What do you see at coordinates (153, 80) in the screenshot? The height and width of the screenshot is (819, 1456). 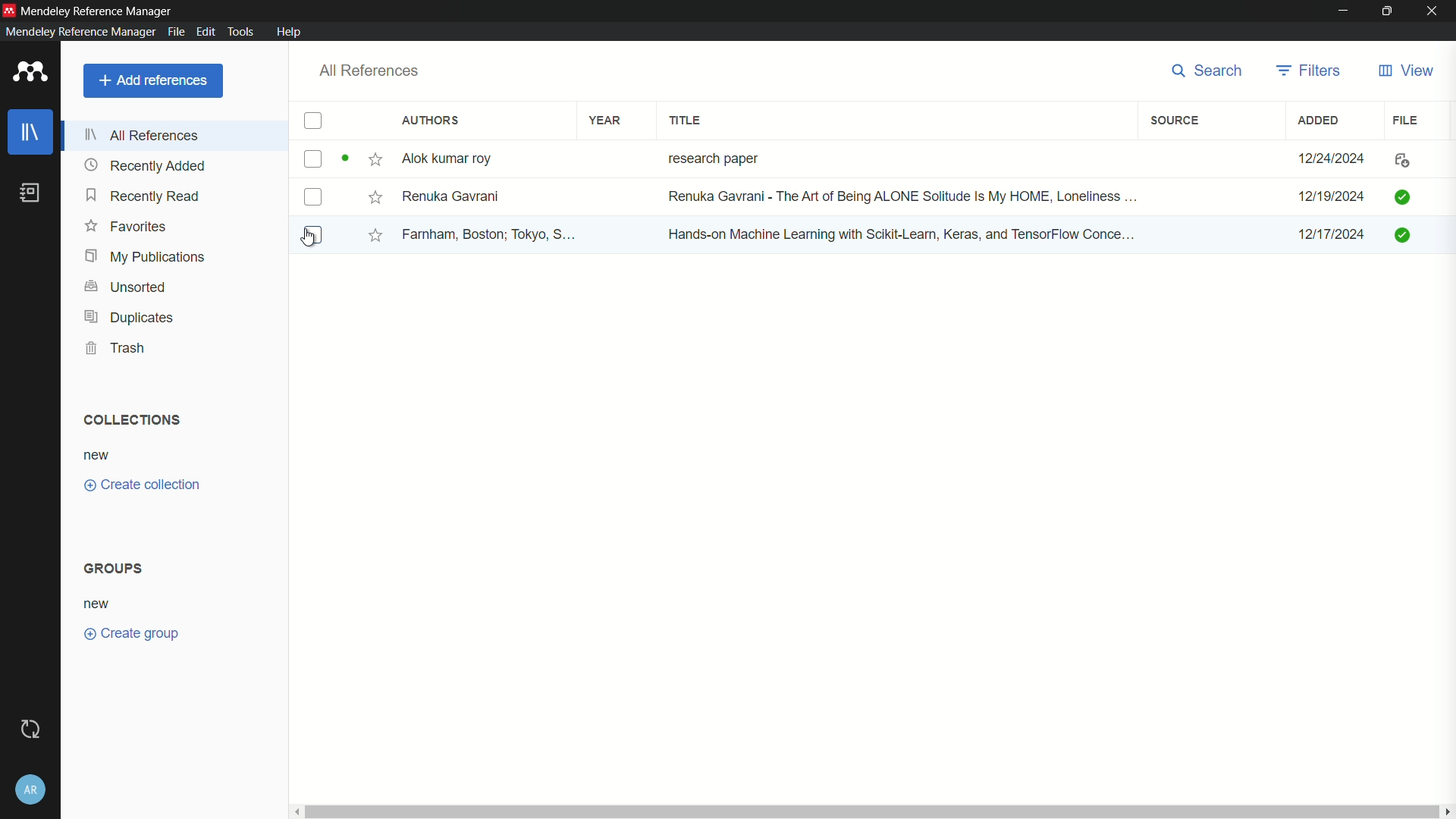 I see `add reference` at bounding box center [153, 80].